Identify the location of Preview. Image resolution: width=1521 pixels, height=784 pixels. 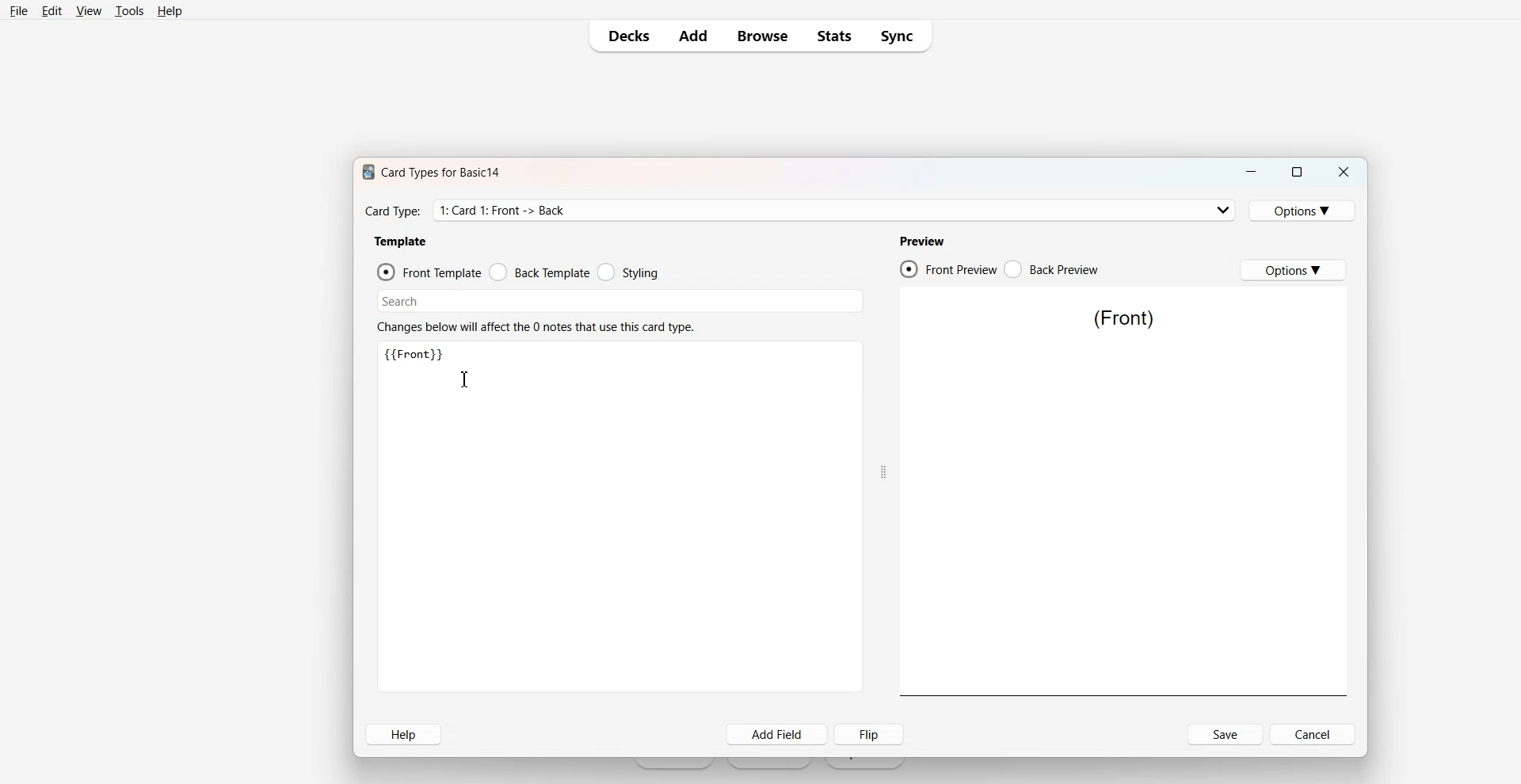
(921, 241).